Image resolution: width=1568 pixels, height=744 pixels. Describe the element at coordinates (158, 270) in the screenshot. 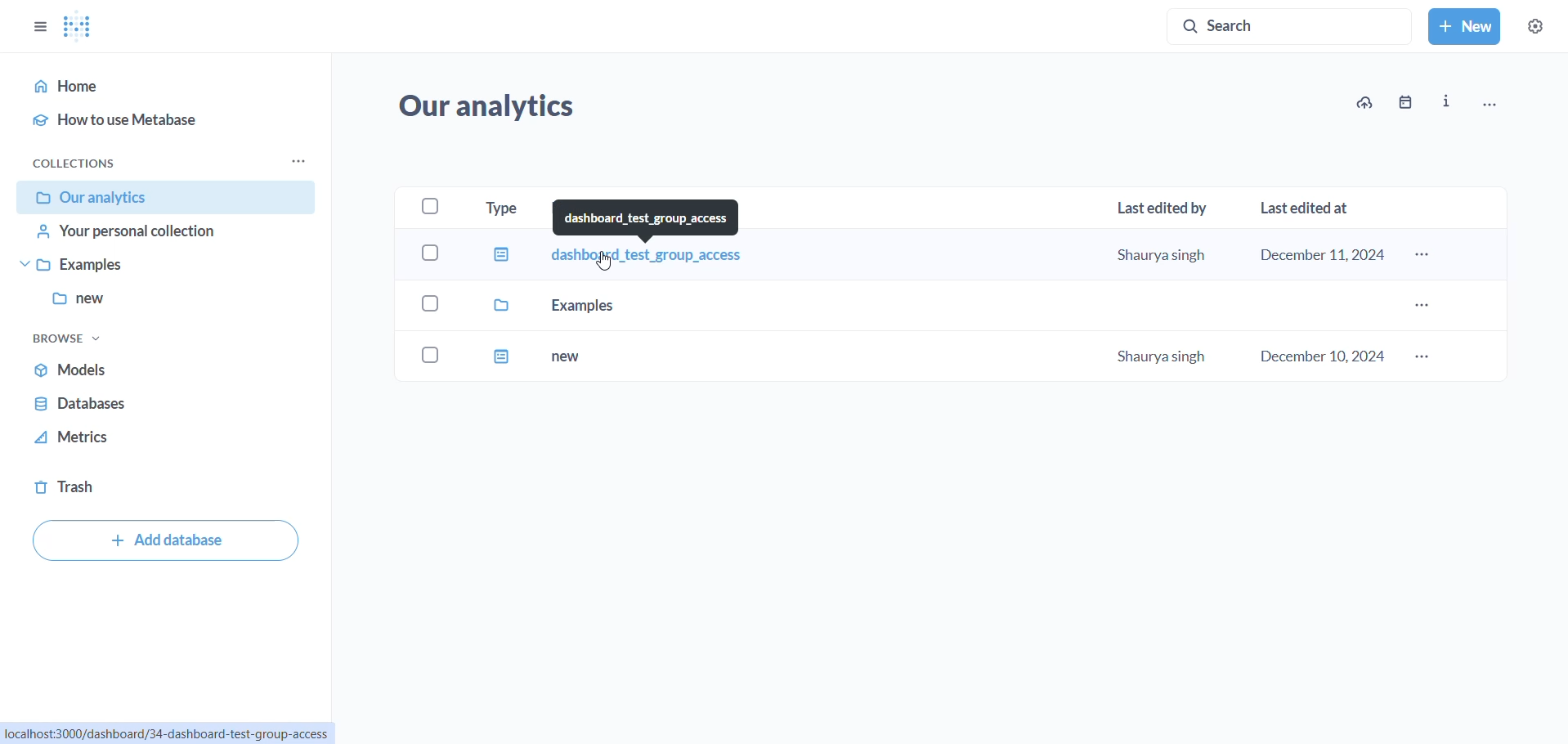

I see `examples` at that location.